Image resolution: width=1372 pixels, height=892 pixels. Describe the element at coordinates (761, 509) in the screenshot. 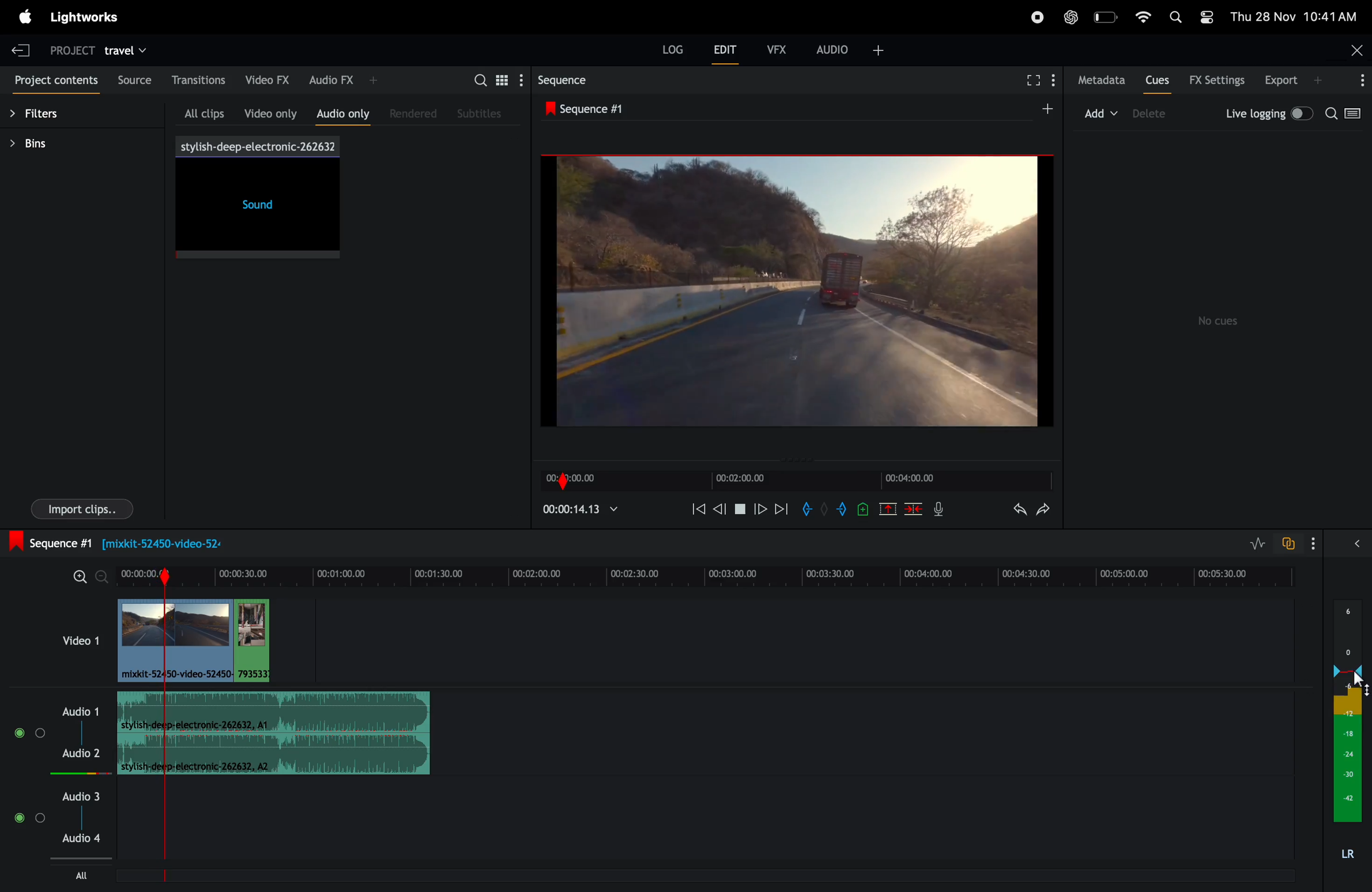

I see `move forward one frame` at that location.